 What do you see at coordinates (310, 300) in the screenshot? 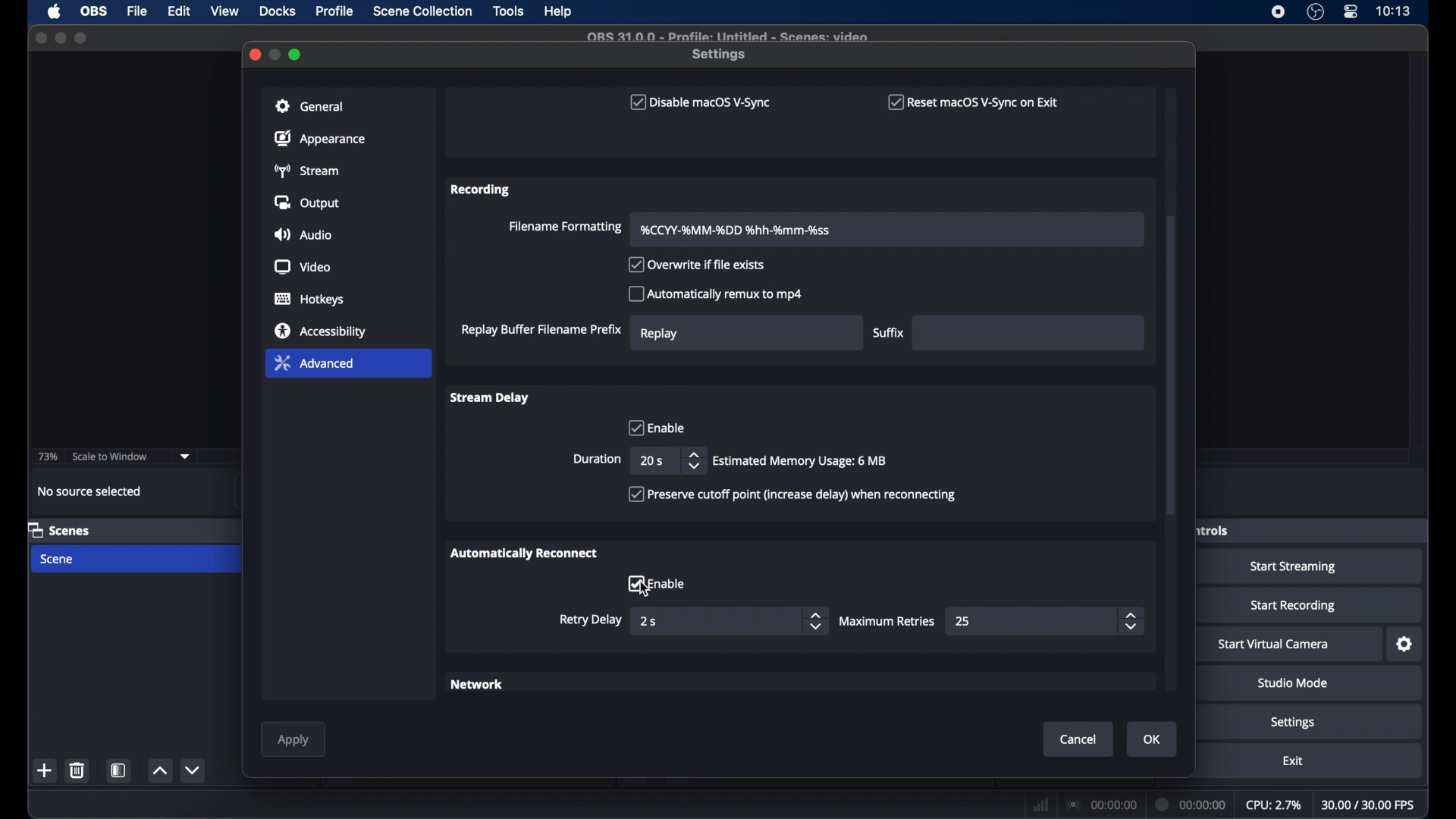
I see `hotkeys` at bounding box center [310, 300].